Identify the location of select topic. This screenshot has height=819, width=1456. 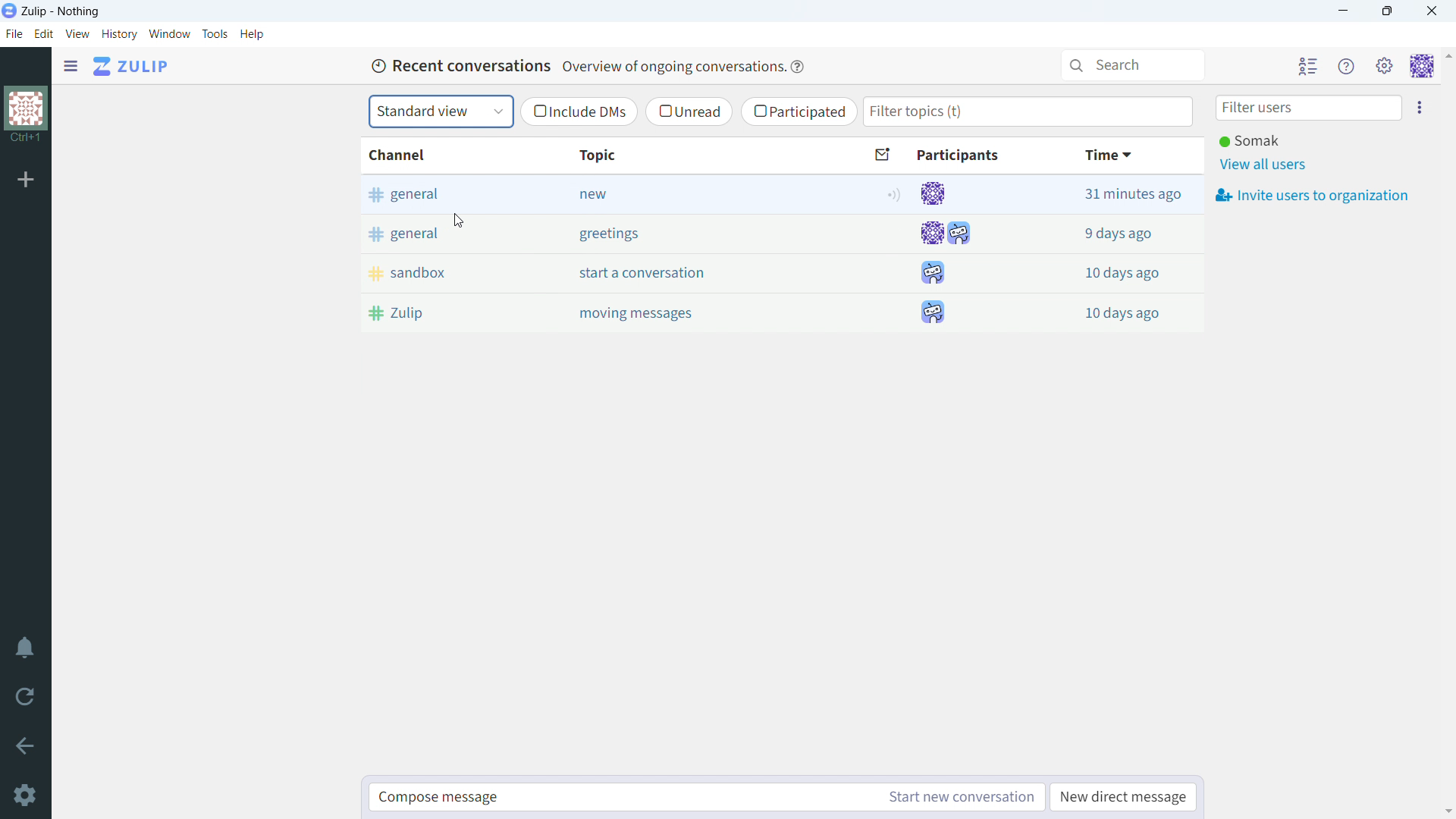
(441, 111).